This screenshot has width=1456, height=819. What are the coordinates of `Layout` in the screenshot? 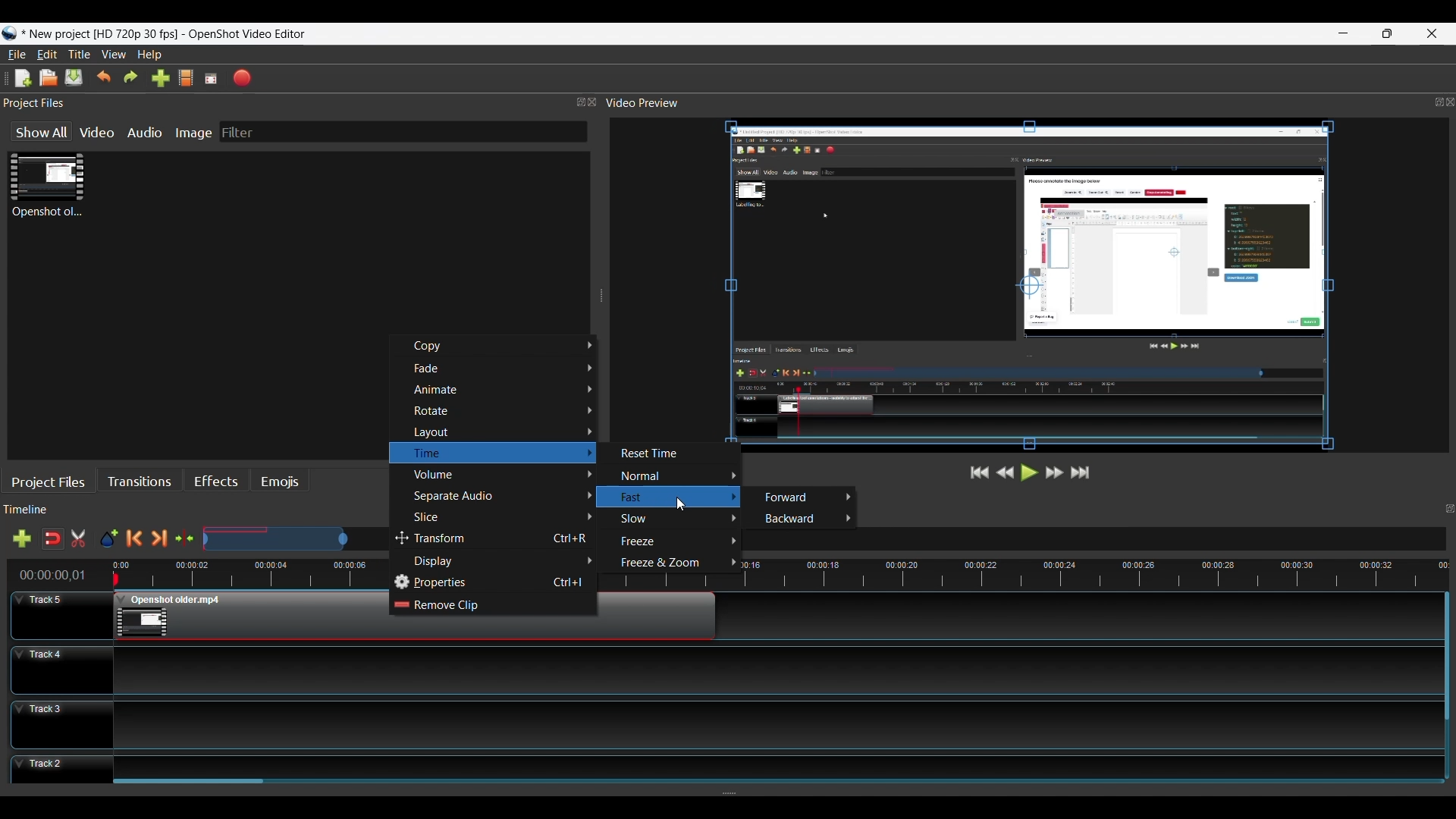 It's located at (501, 432).